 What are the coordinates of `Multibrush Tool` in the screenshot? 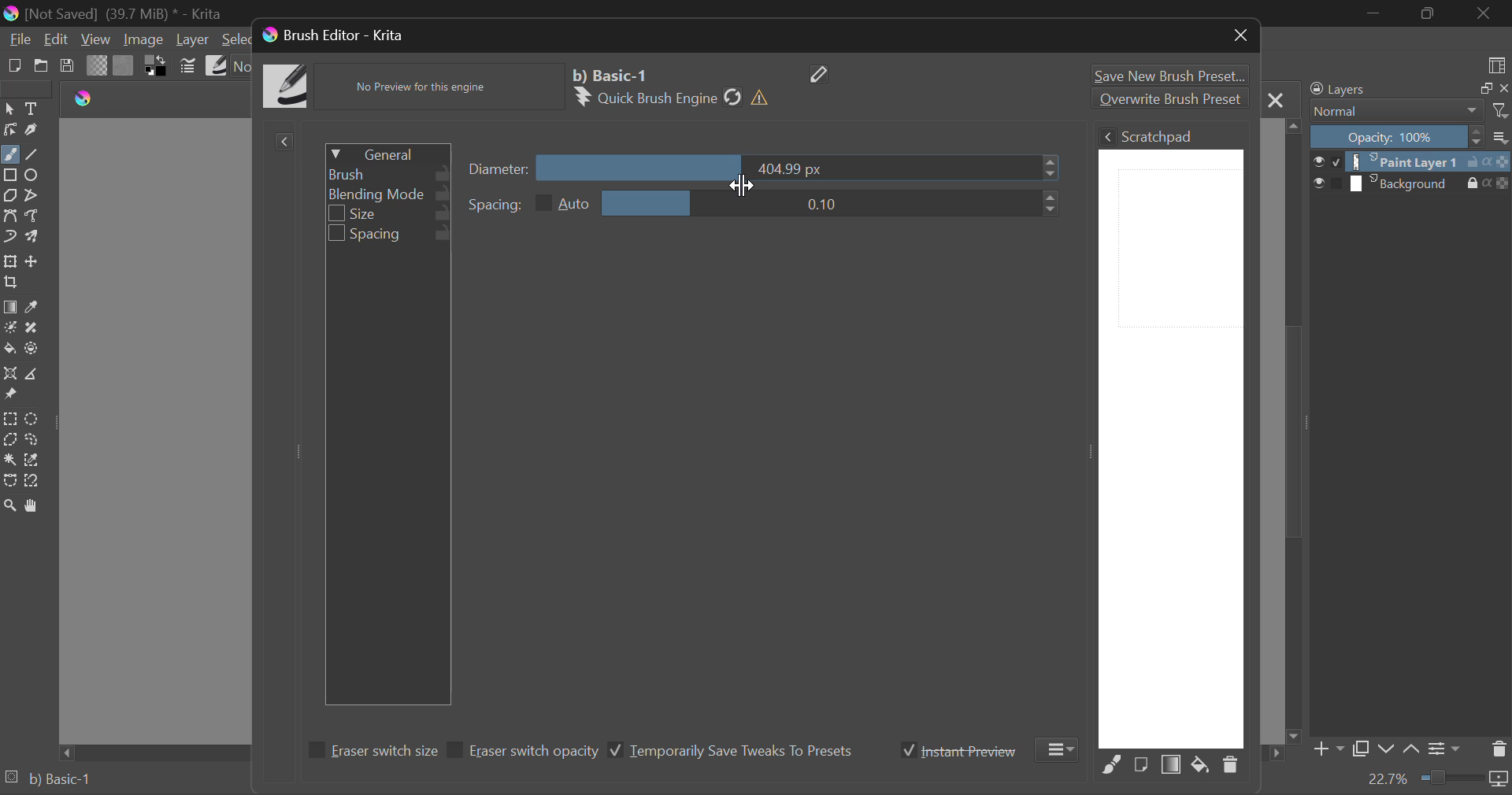 It's located at (32, 237).